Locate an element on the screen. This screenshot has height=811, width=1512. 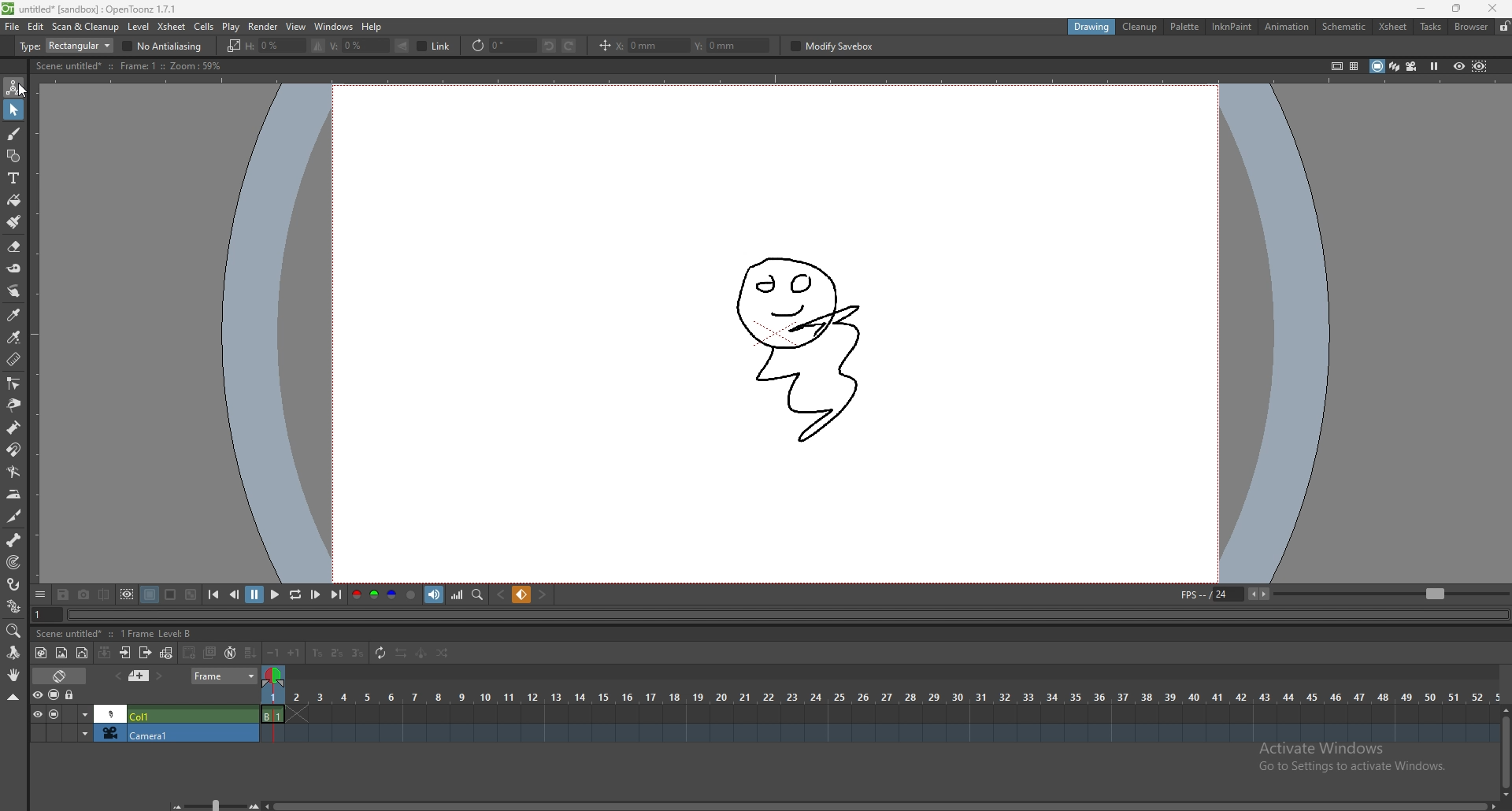
skeleton is located at coordinates (15, 539).